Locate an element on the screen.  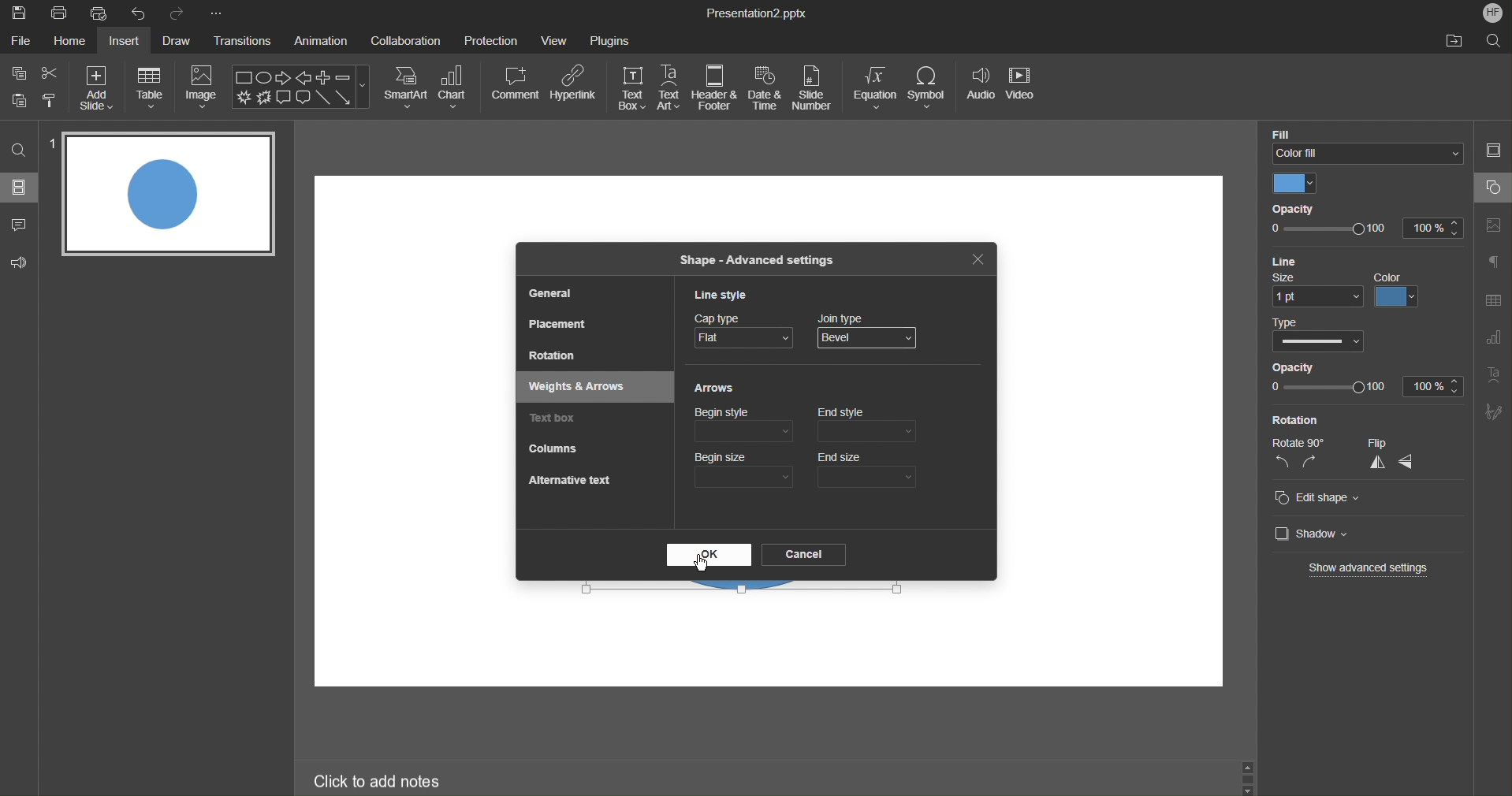
Protection is located at coordinates (491, 39).